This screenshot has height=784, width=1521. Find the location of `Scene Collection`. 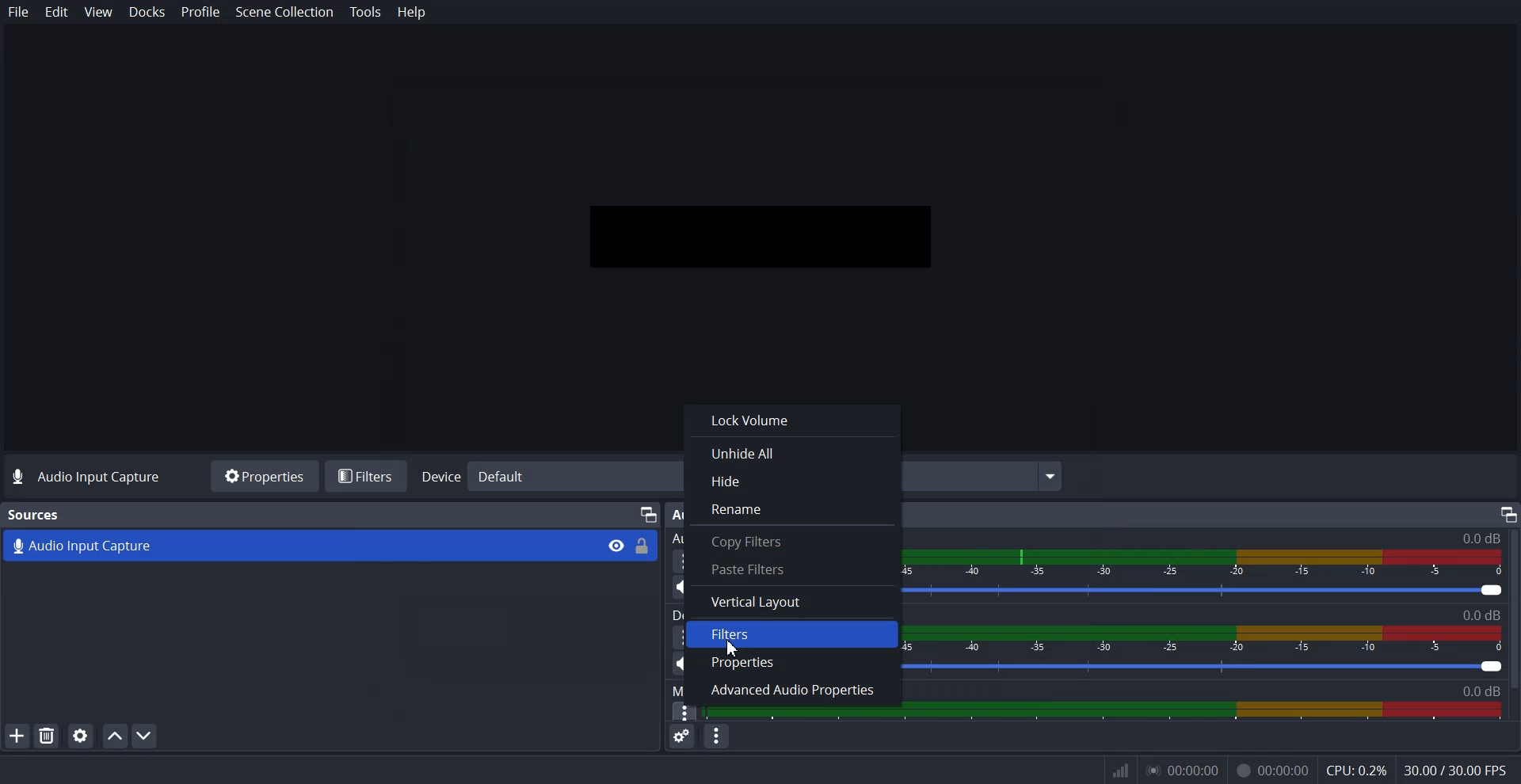

Scene Collection is located at coordinates (285, 13).